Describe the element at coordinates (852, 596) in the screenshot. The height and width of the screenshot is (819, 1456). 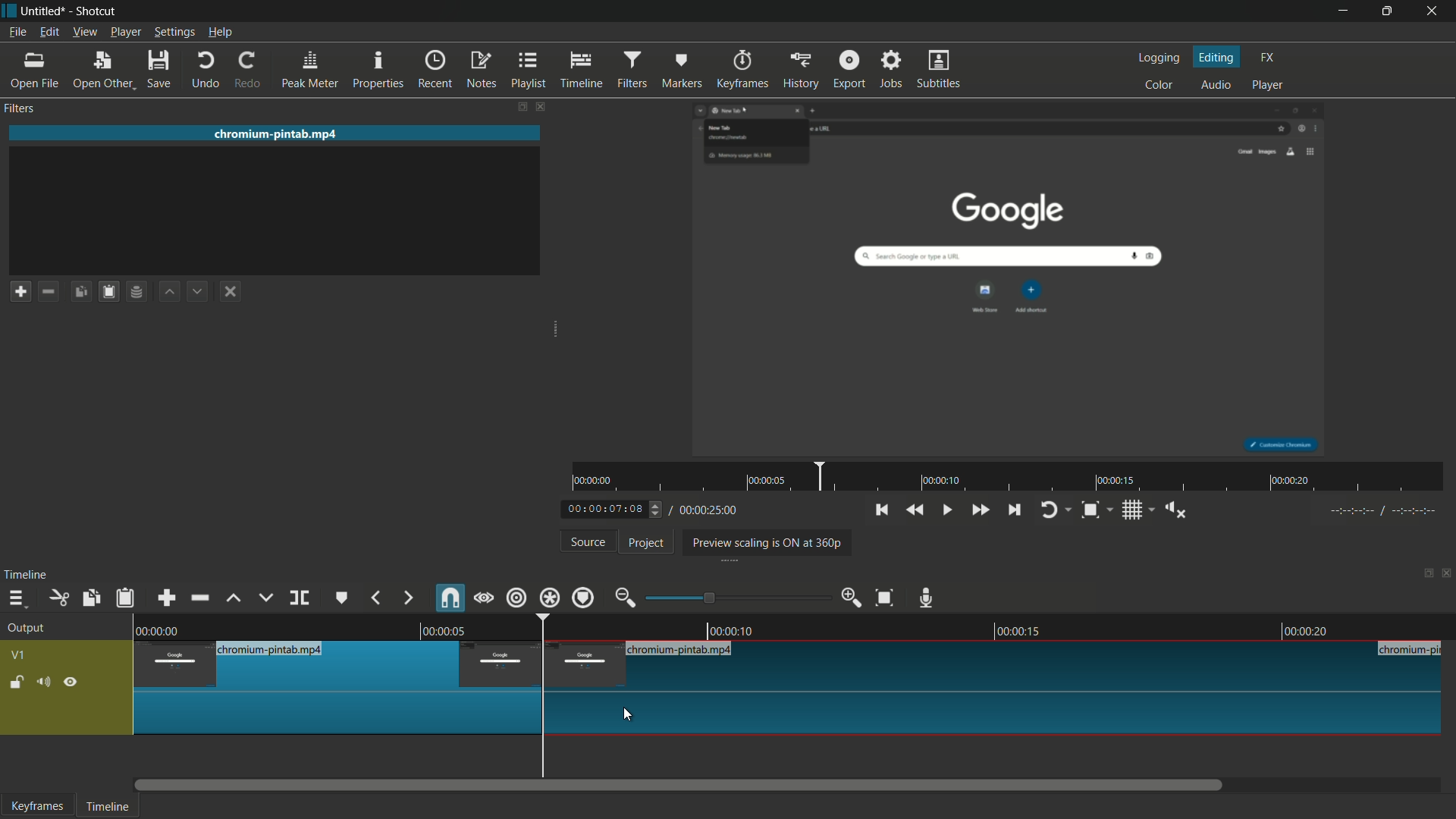
I see `zoom in` at that location.